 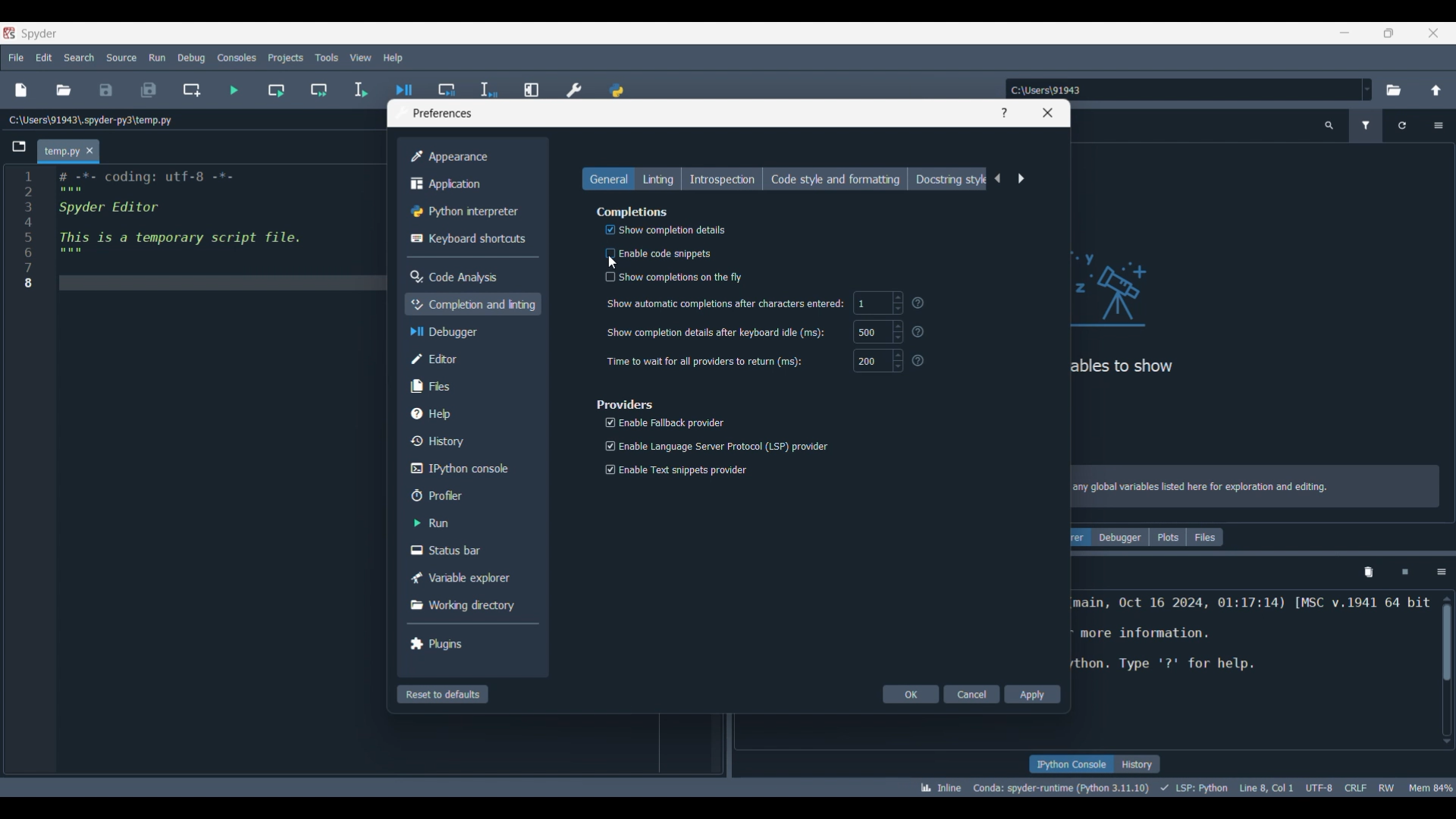 What do you see at coordinates (472, 331) in the screenshot?
I see `Debugger` at bounding box center [472, 331].